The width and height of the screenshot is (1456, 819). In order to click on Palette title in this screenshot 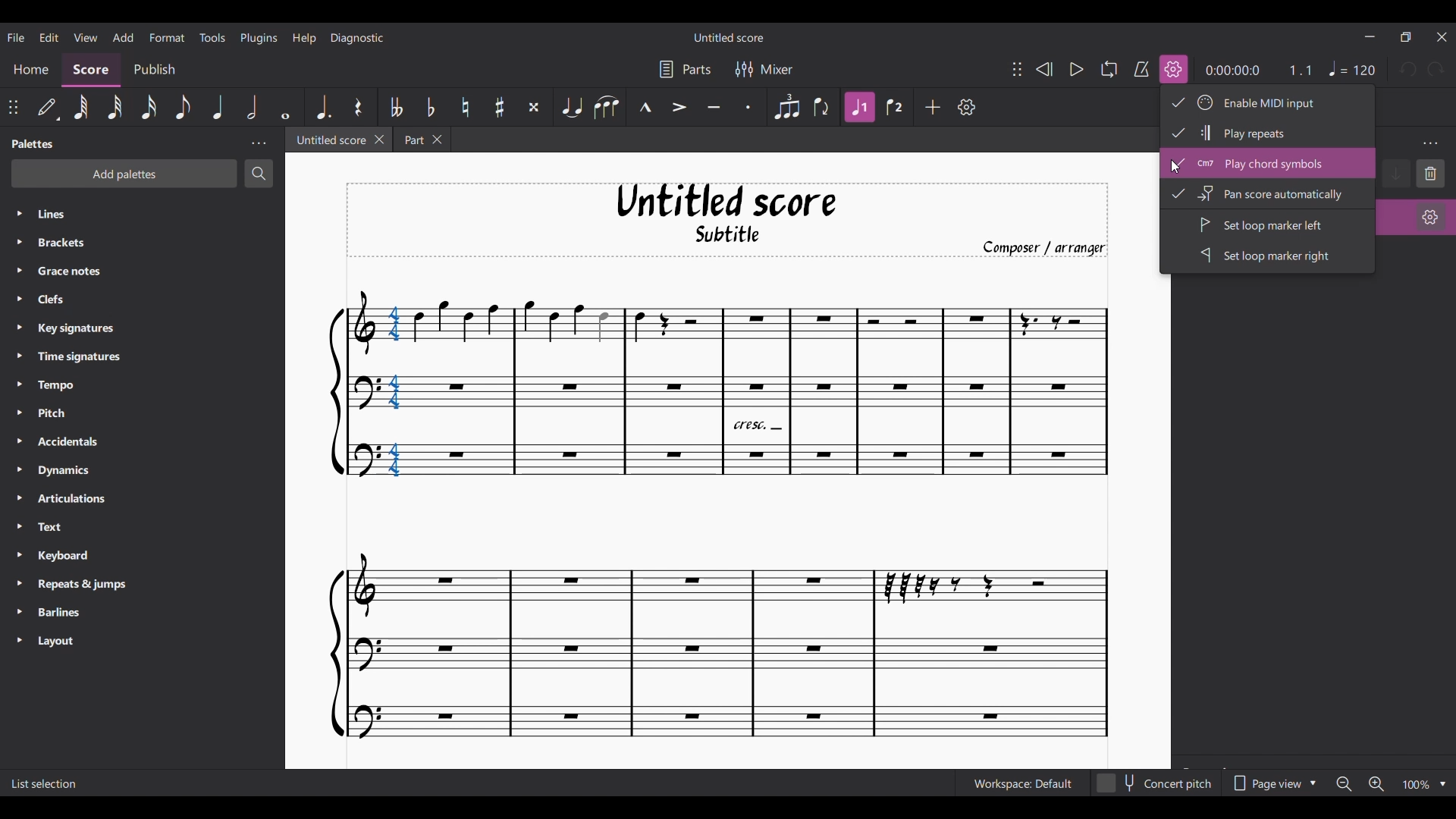, I will do `click(33, 144)`.